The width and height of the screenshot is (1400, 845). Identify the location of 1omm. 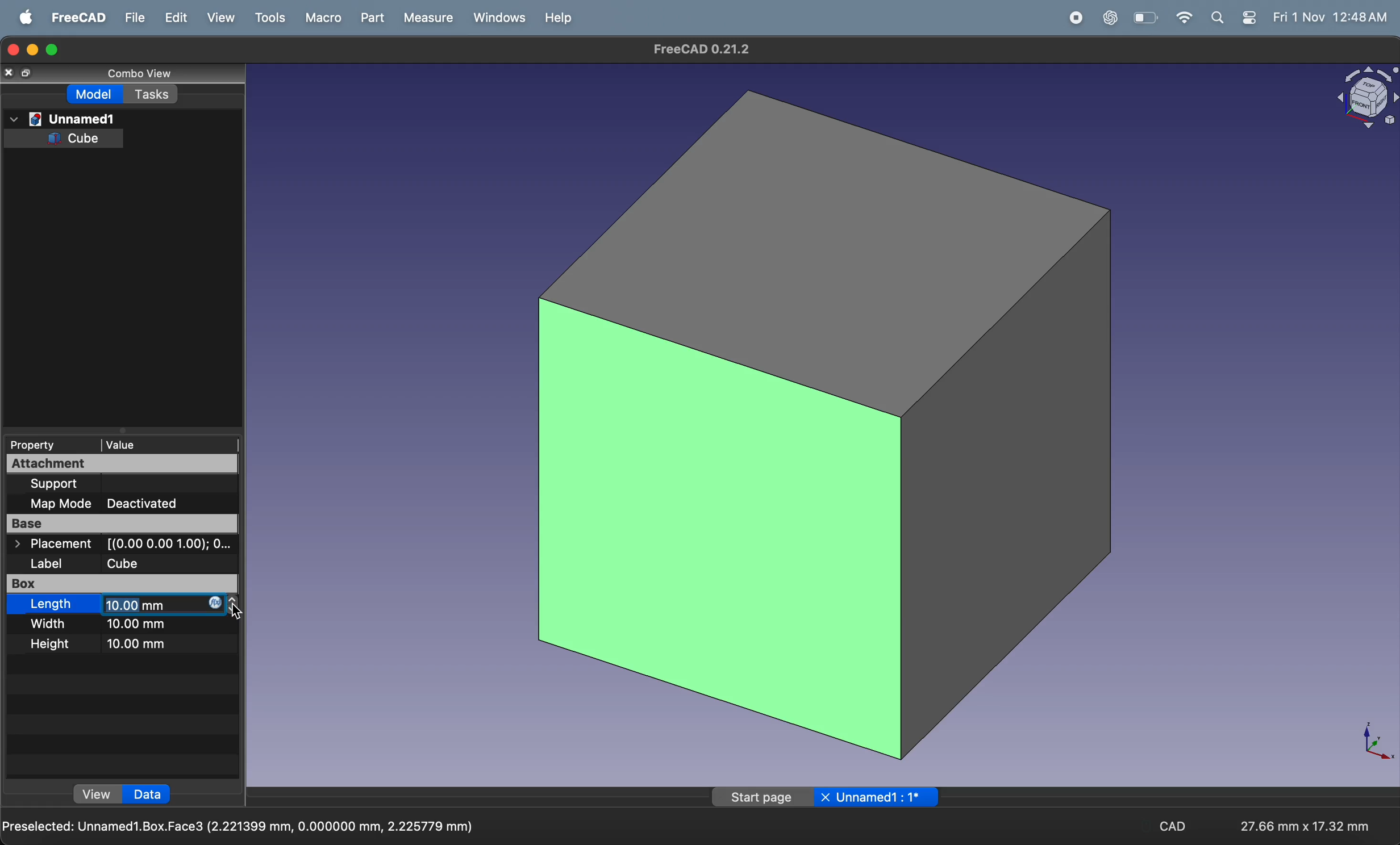
(144, 626).